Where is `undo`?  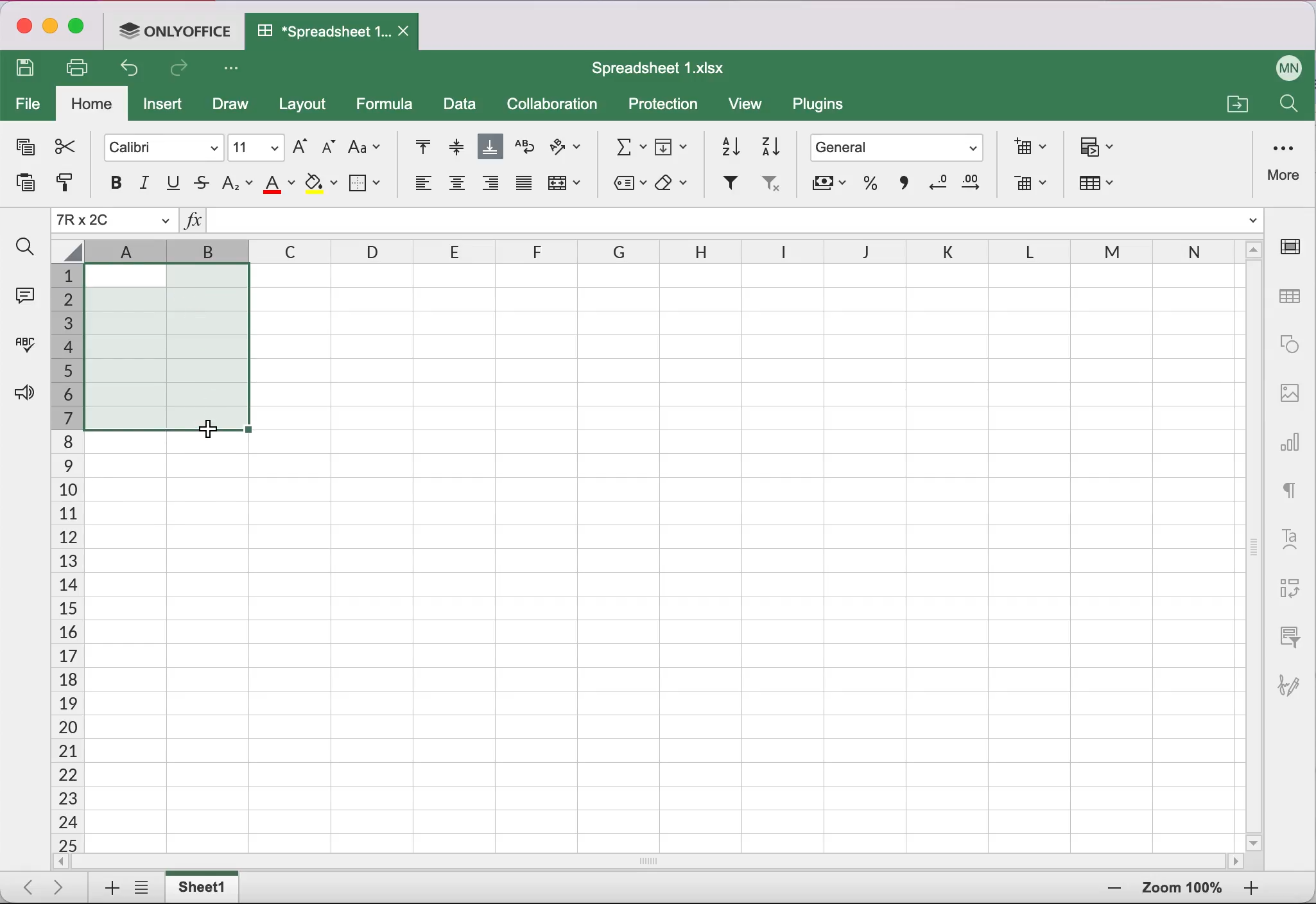 undo is located at coordinates (134, 71).